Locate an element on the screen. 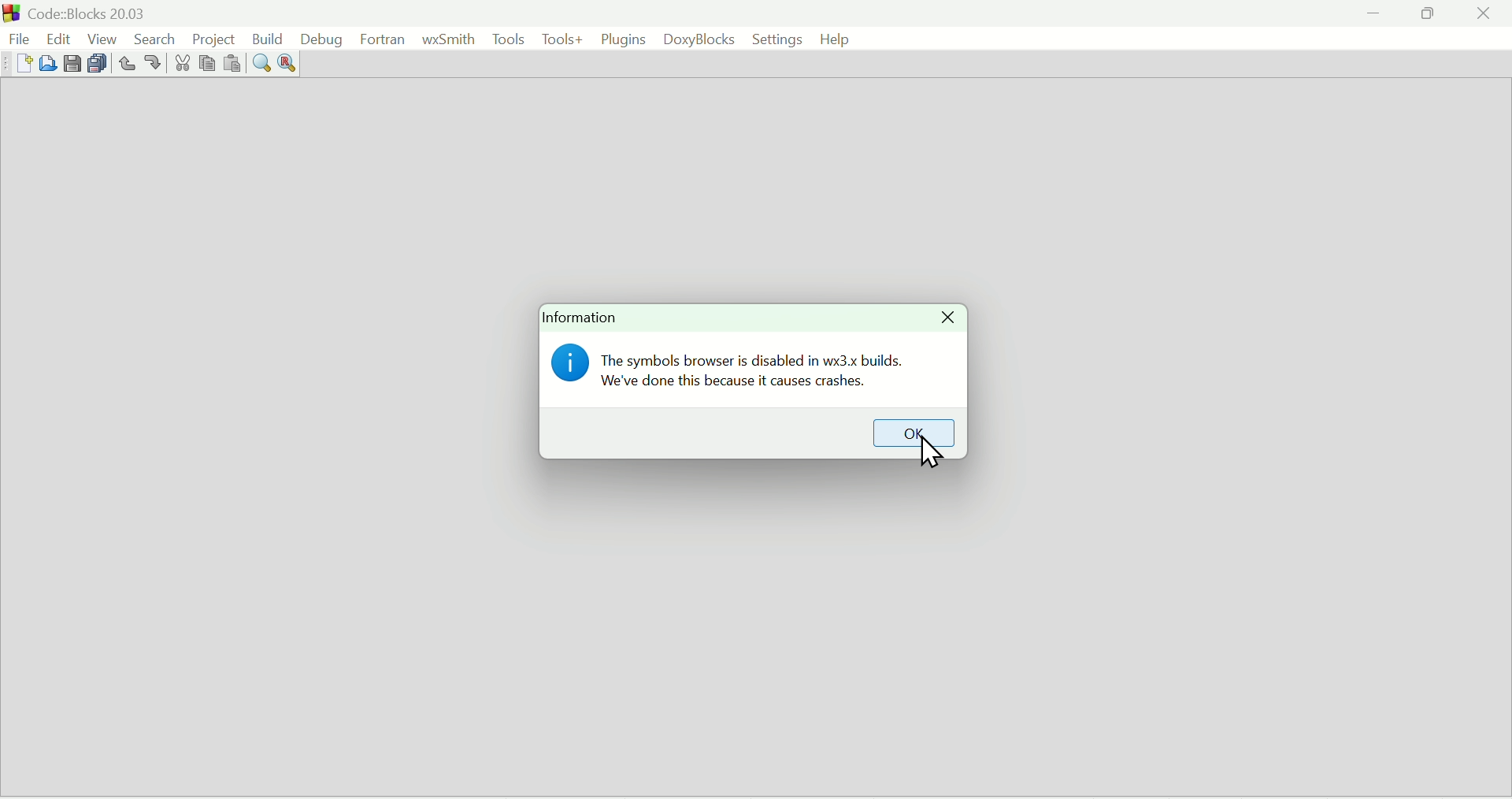  Replace is located at coordinates (288, 65).